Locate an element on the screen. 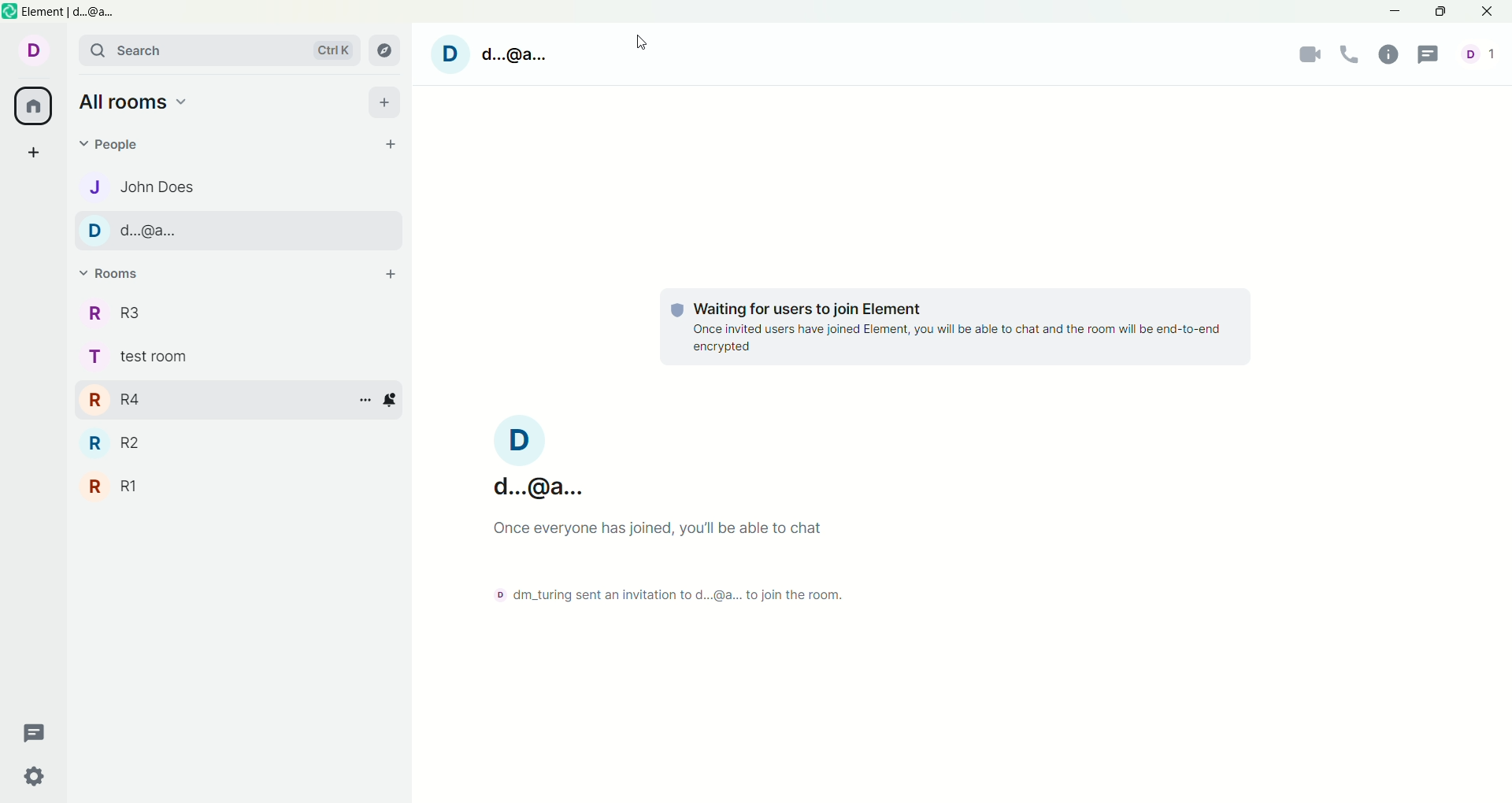 The width and height of the screenshot is (1512, 803). start chat is located at coordinates (390, 144).